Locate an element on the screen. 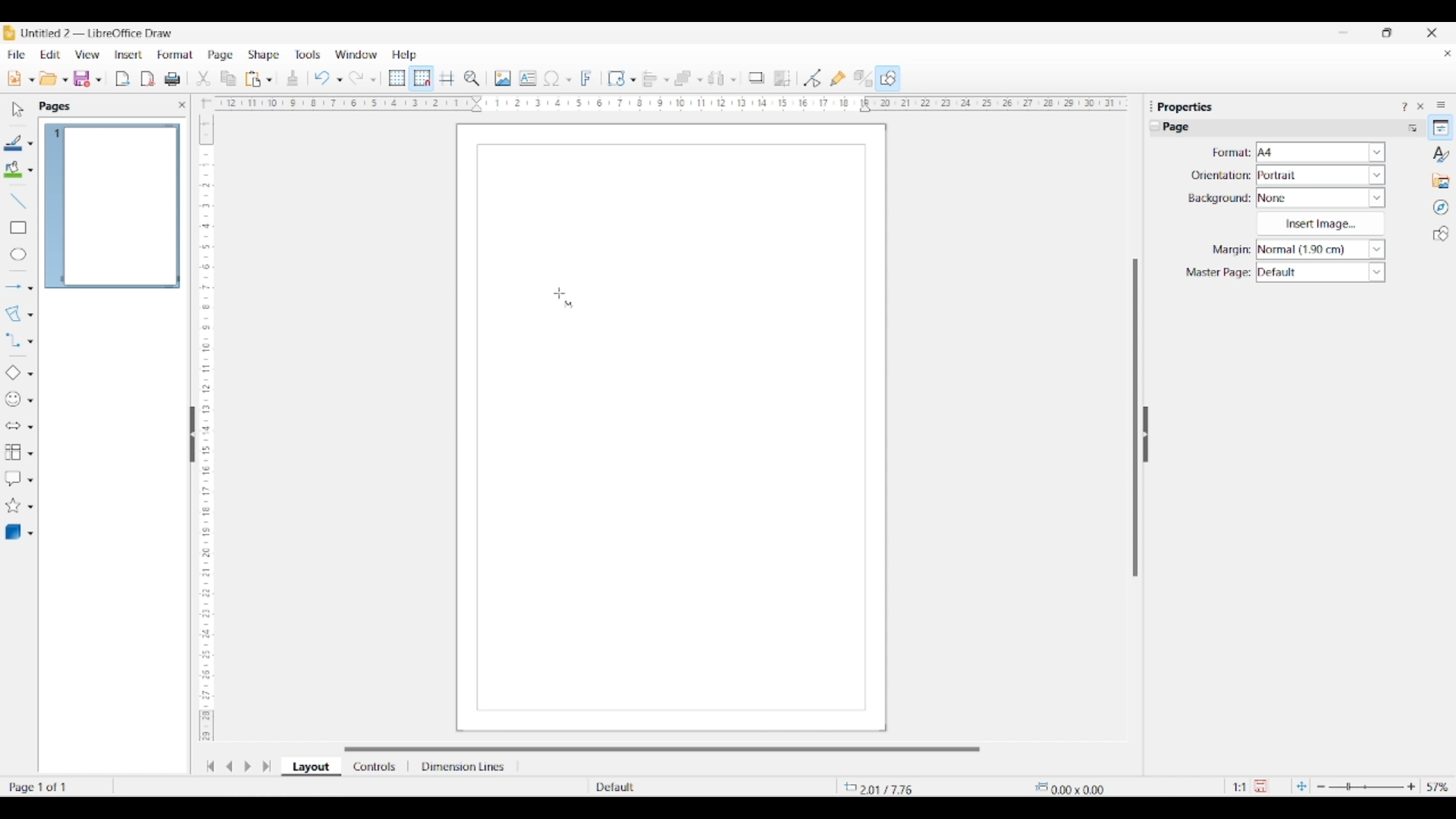  Connector options is located at coordinates (30, 341).